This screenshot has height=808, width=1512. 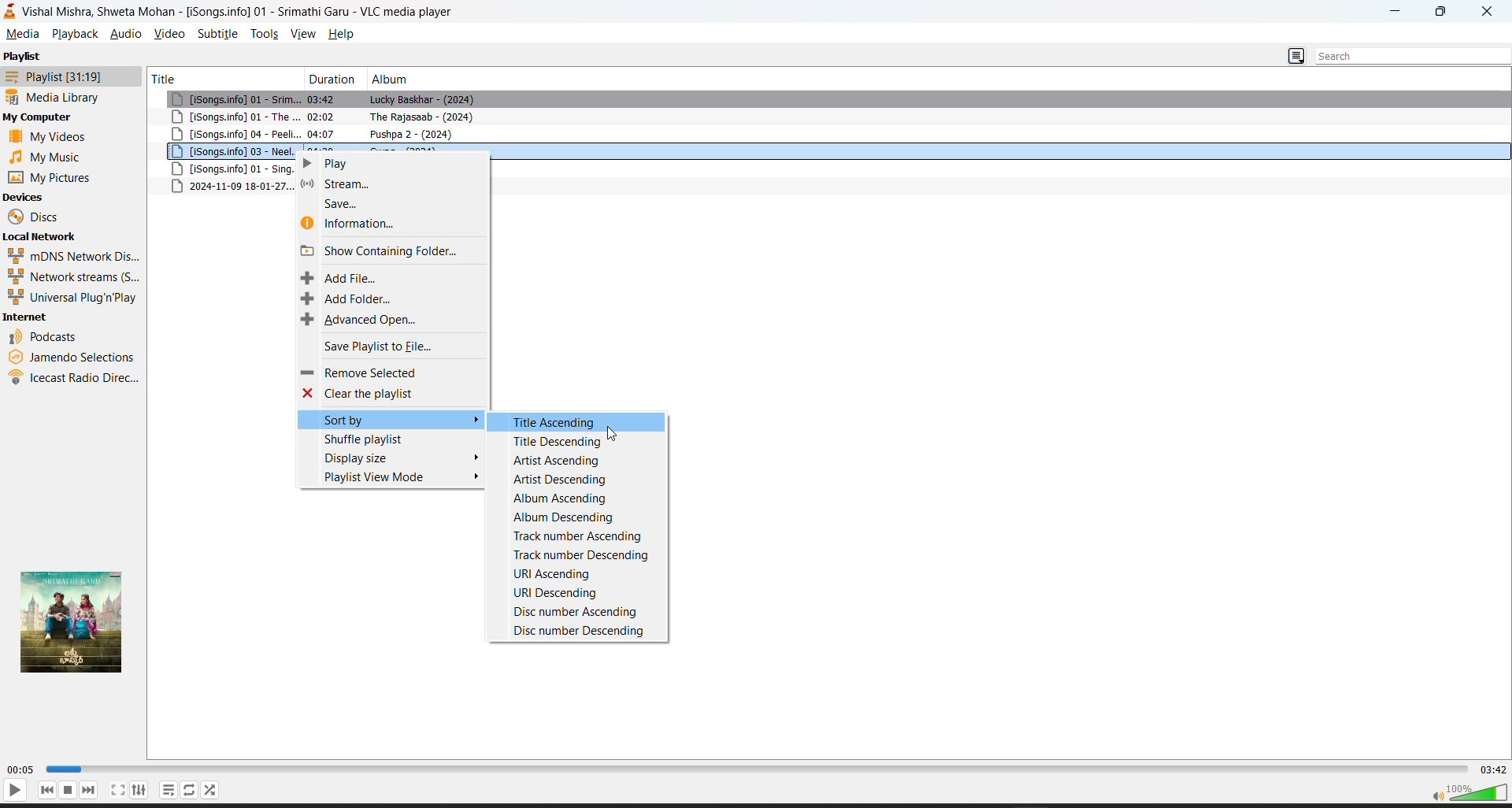 I want to click on help, so click(x=341, y=32).